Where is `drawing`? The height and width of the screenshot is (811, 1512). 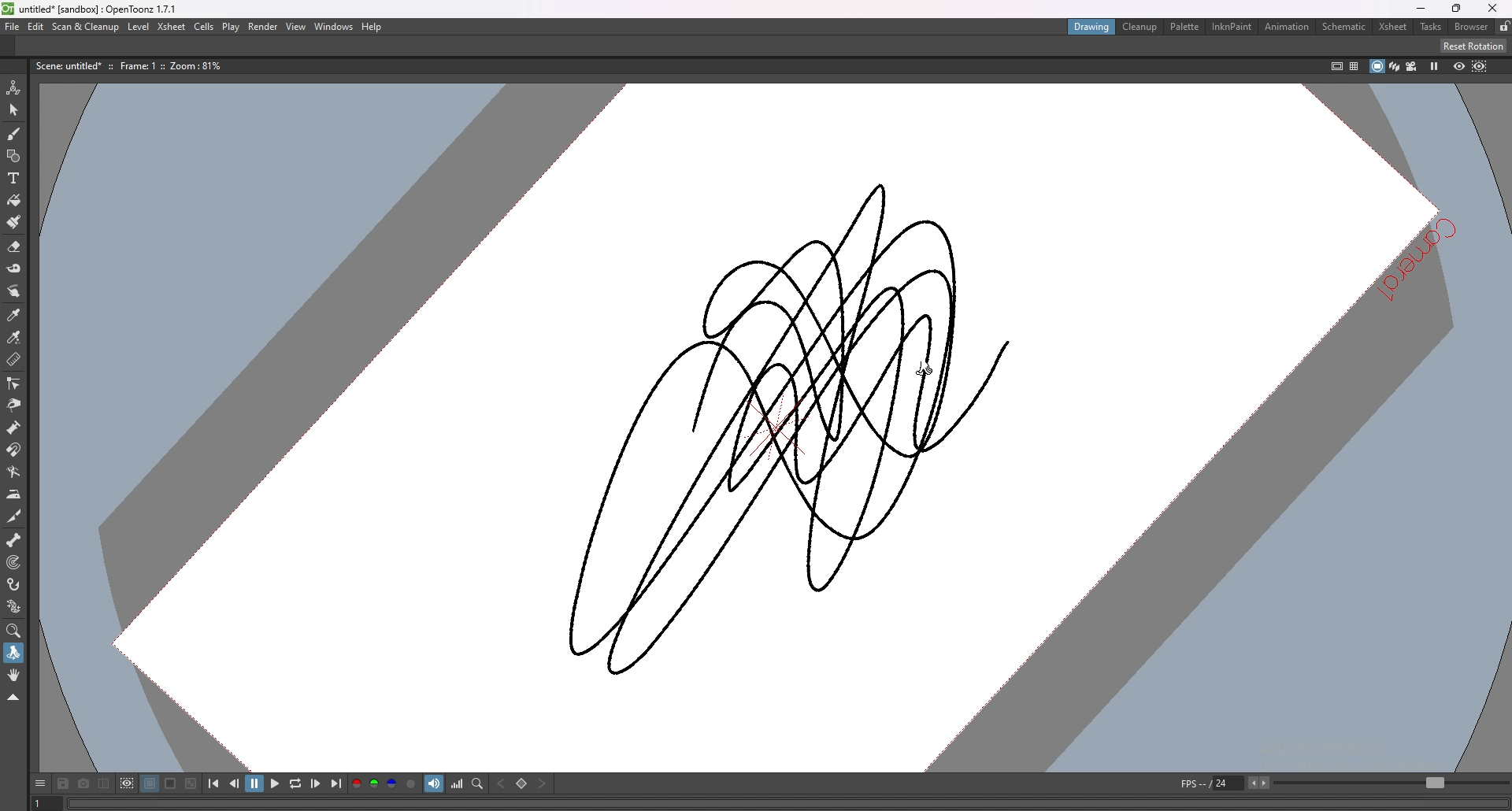 drawing is located at coordinates (1091, 28).